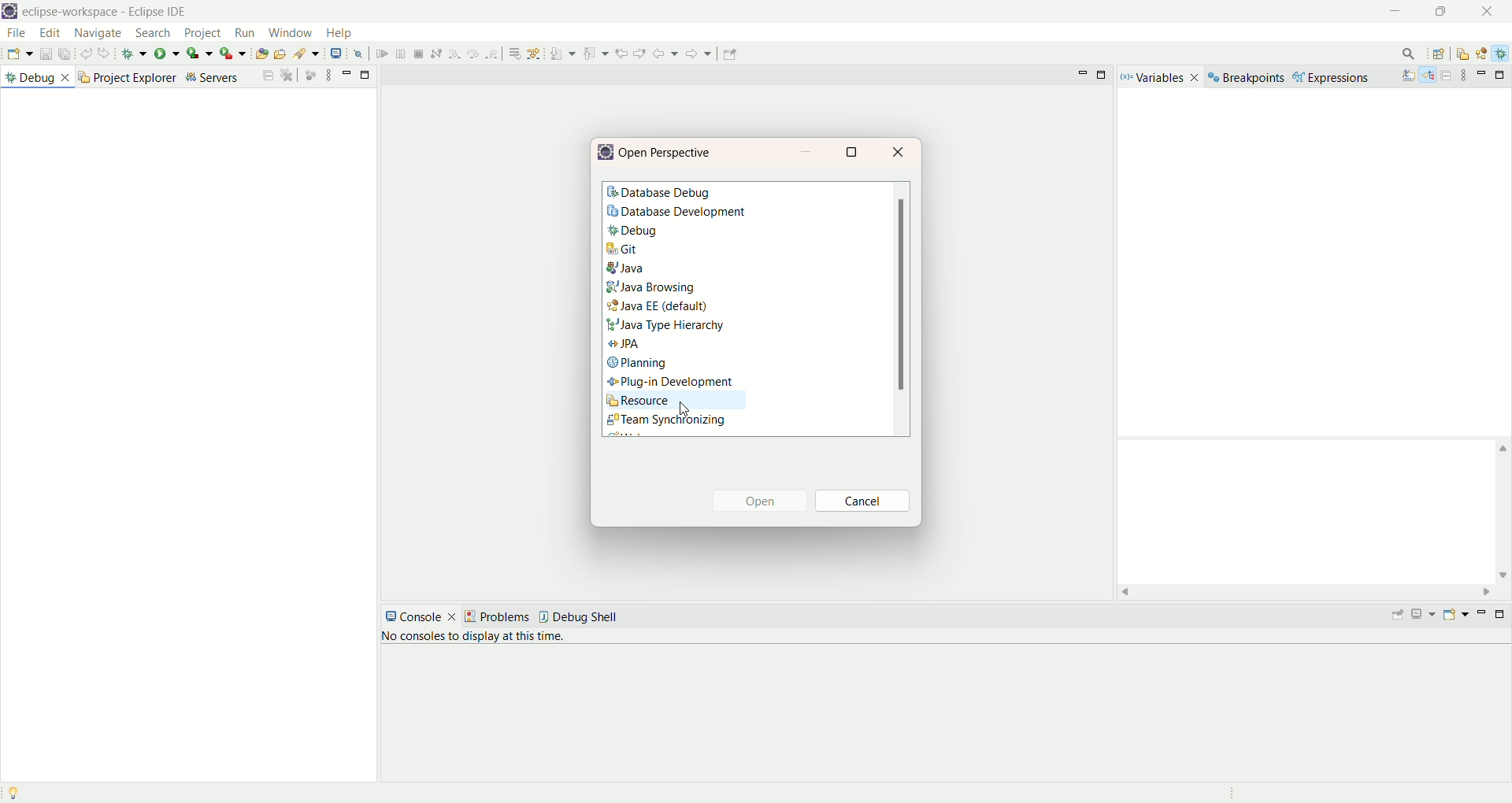 This screenshot has width=1512, height=803. Describe the element at coordinates (1482, 612) in the screenshot. I see `minimize` at that location.